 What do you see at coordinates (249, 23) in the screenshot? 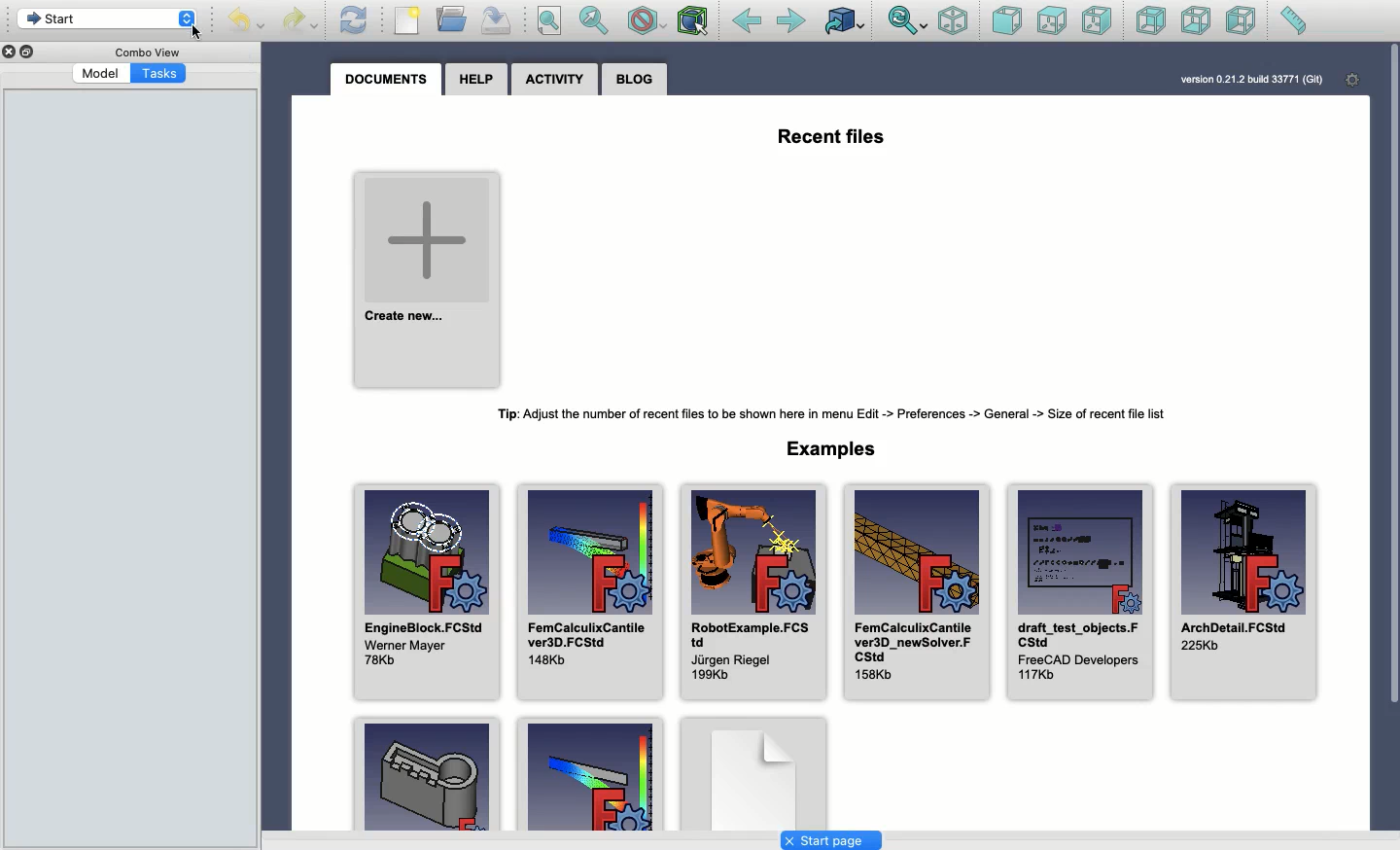
I see `Undo` at bounding box center [249, 23].